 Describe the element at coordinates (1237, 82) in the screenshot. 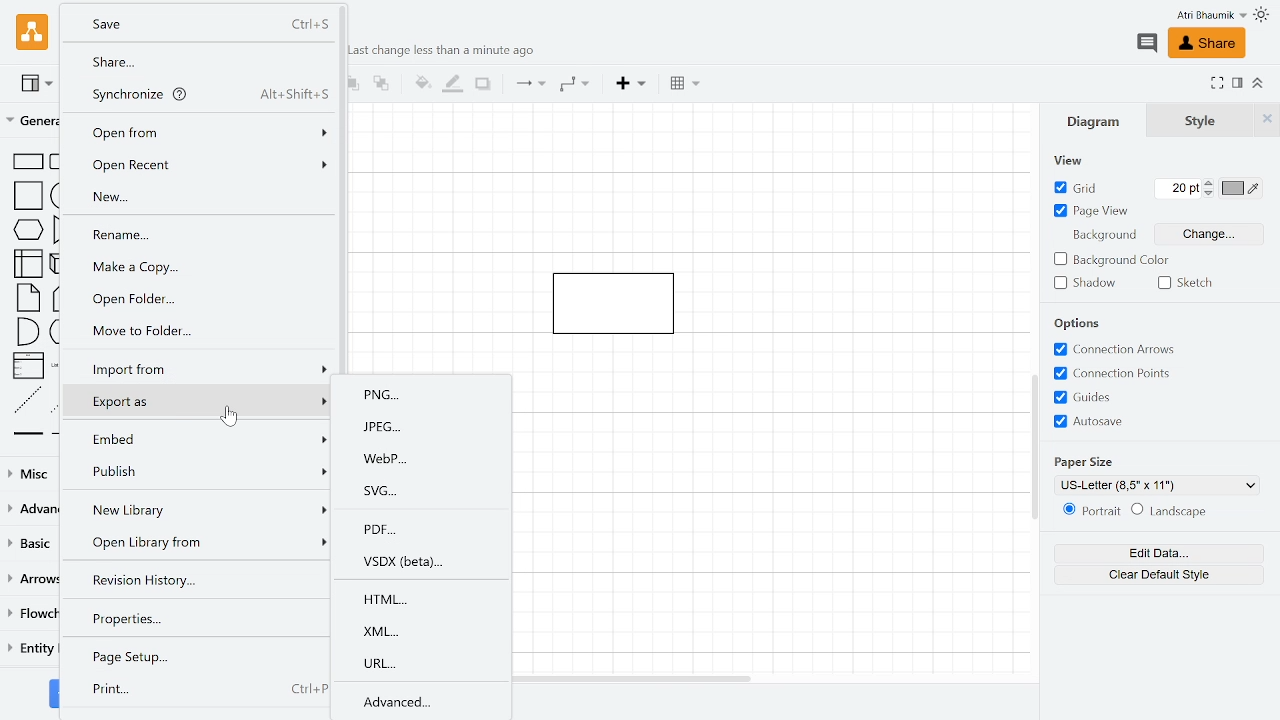

I see `Format` at that location.